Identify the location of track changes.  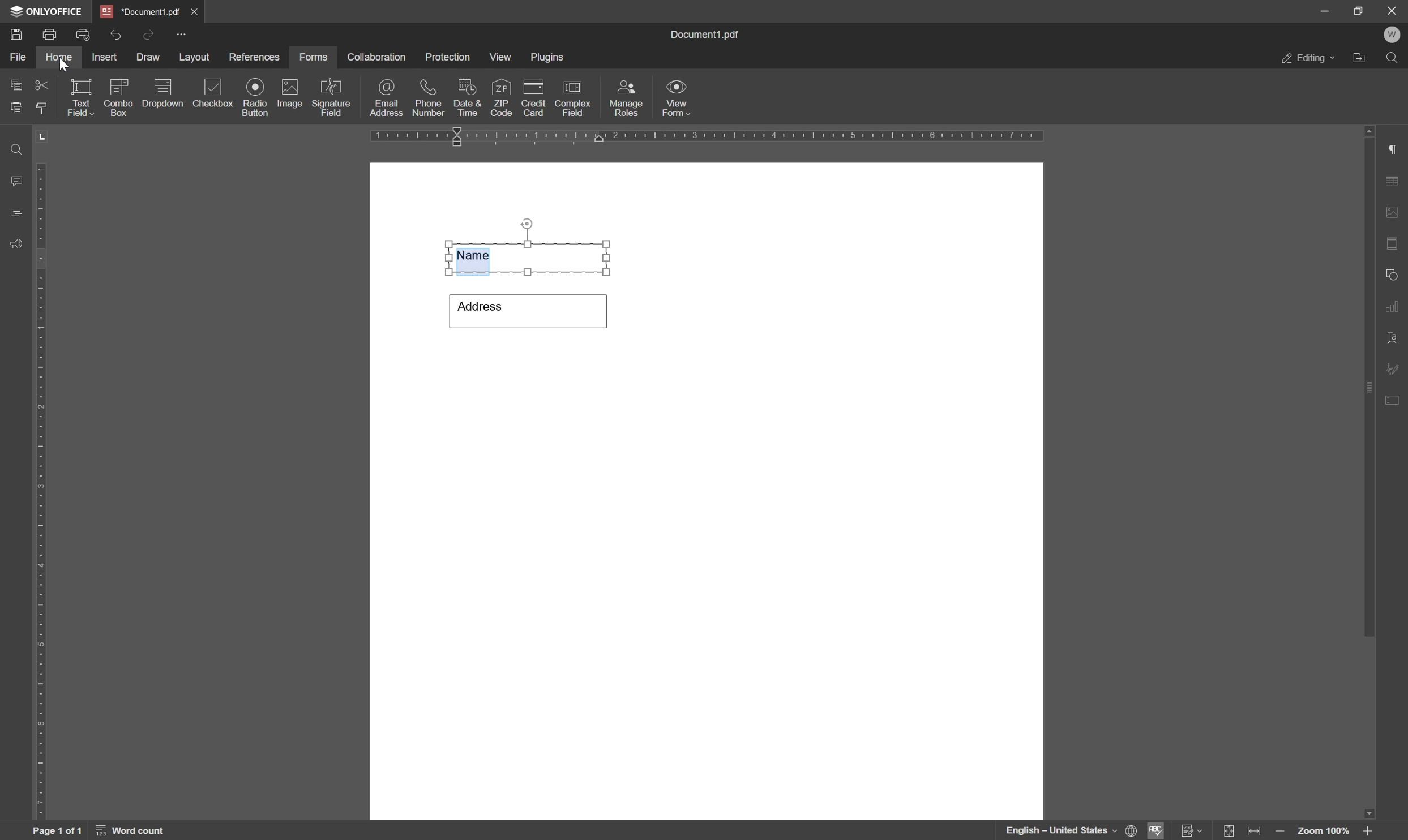
(1191, 831).